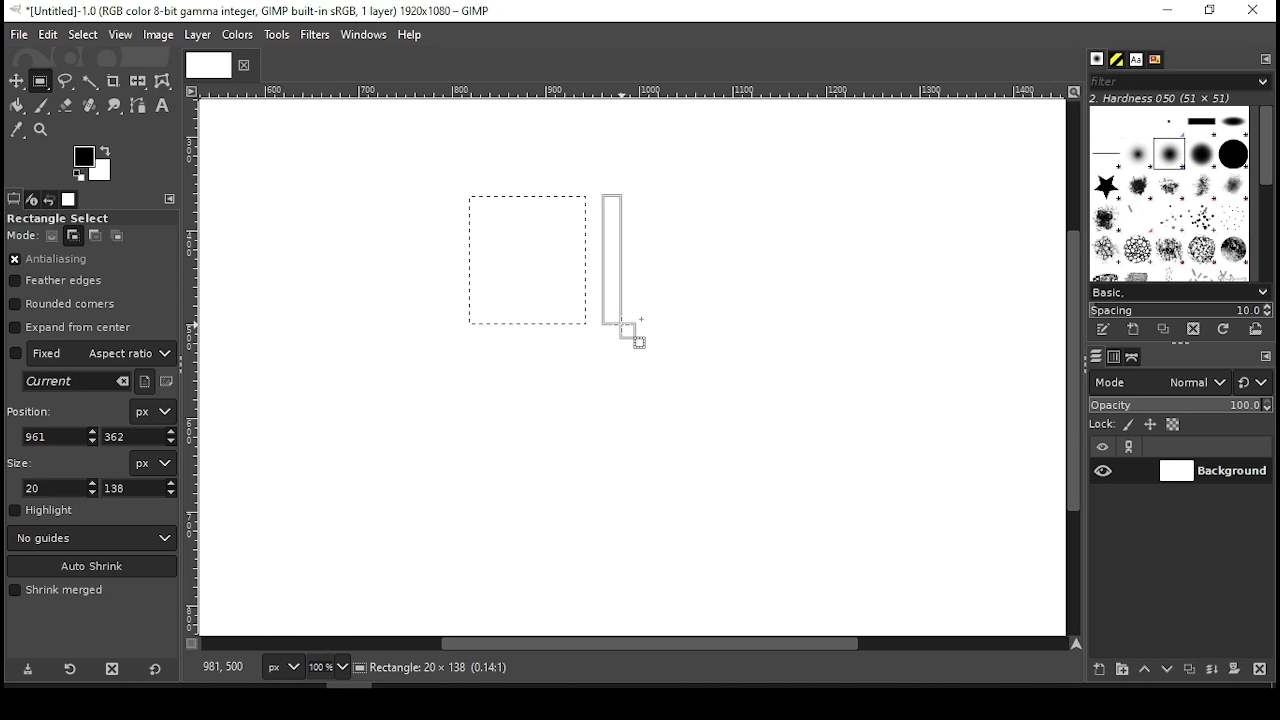  What do you see at coordinates (61, 436) in the screenshot?
I see `x` at bounding box center [61, 436].